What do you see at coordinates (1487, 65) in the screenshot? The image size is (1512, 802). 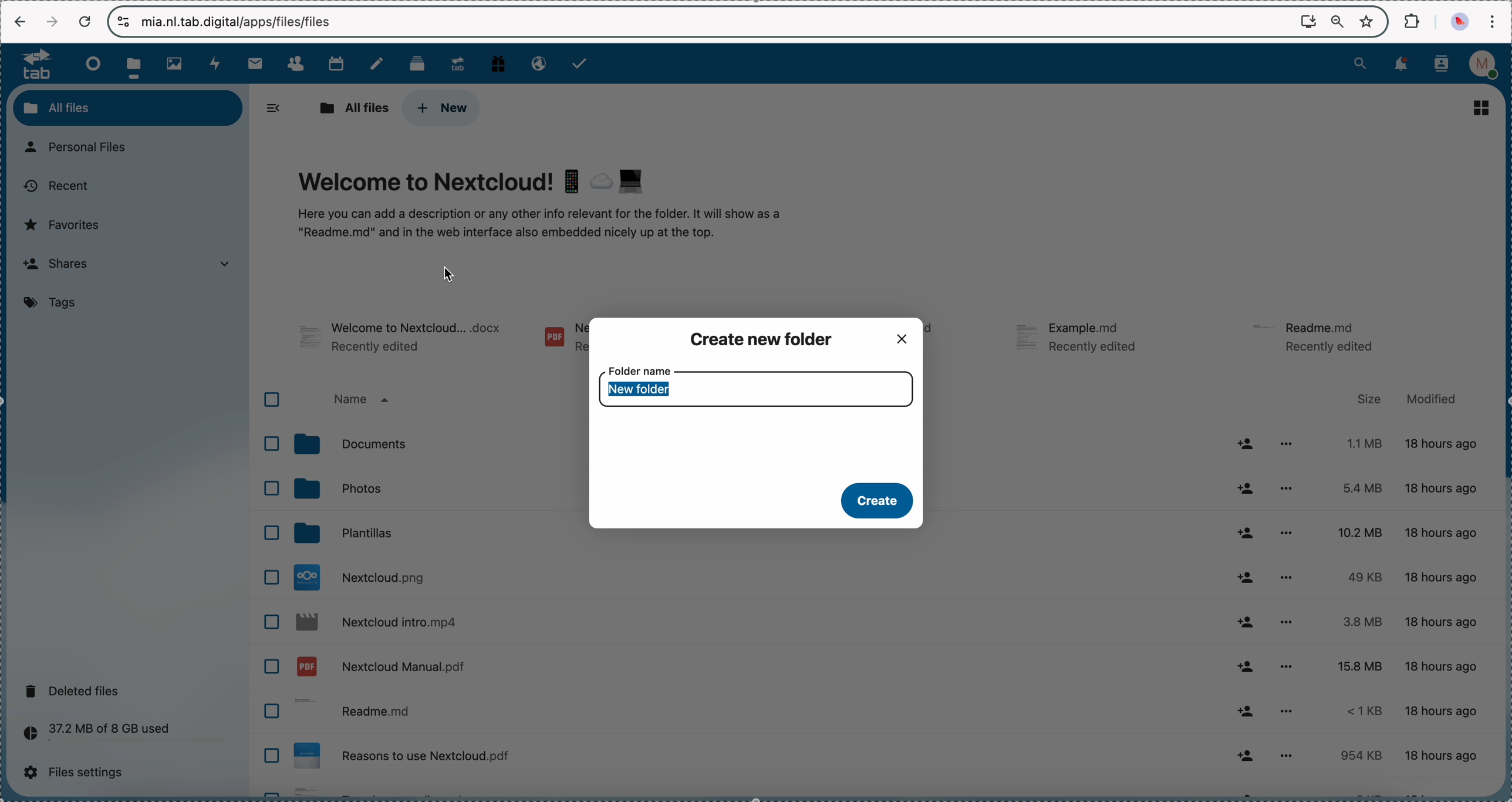 I see `profile` at bounding box center [1487, 65].